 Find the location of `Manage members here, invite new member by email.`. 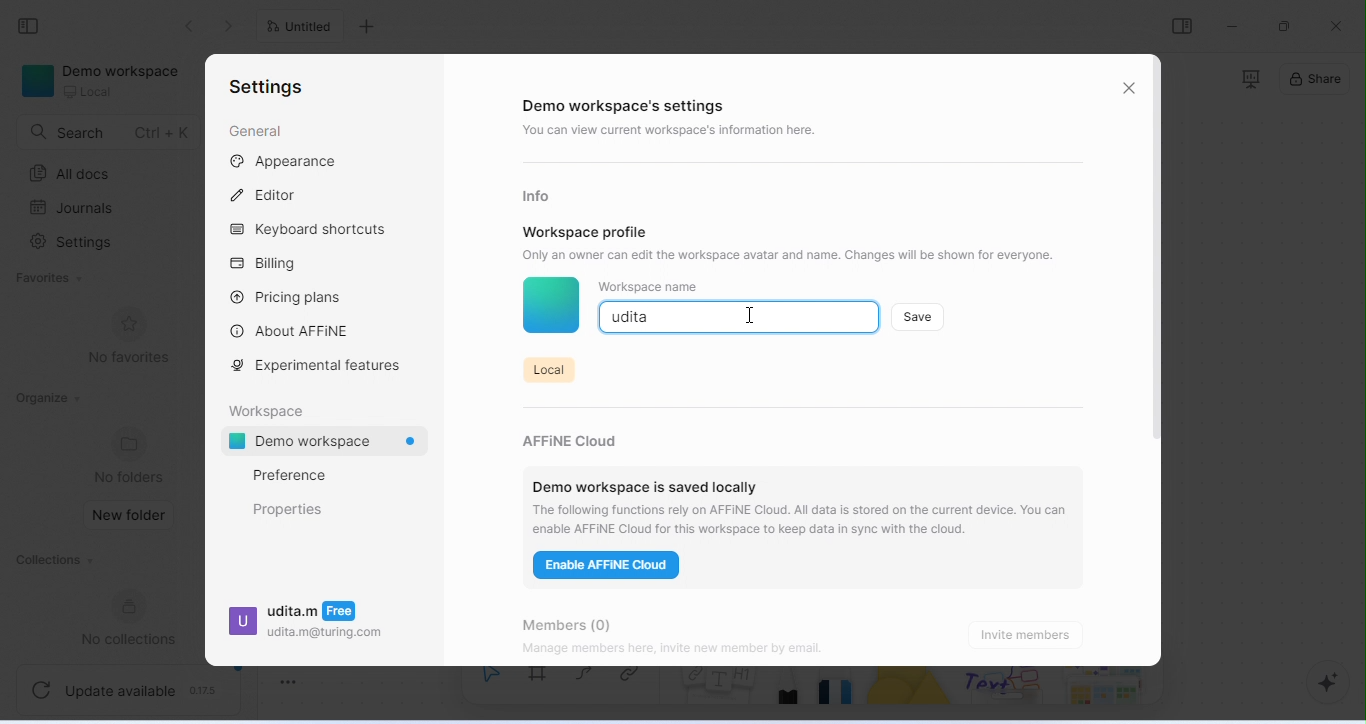

Manage members here, invite new member by email. is located at coordinates (714, 650).